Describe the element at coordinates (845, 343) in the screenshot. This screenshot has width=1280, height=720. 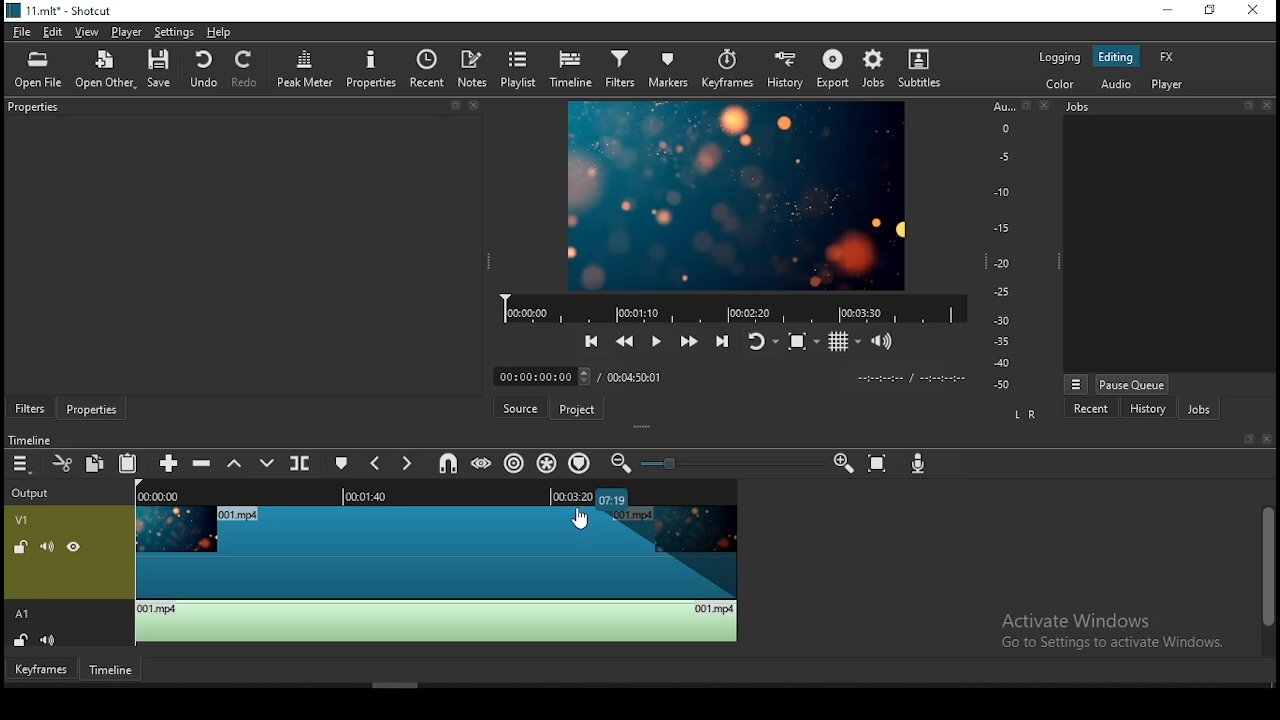
I see `toggle grid display on the player` at that location.